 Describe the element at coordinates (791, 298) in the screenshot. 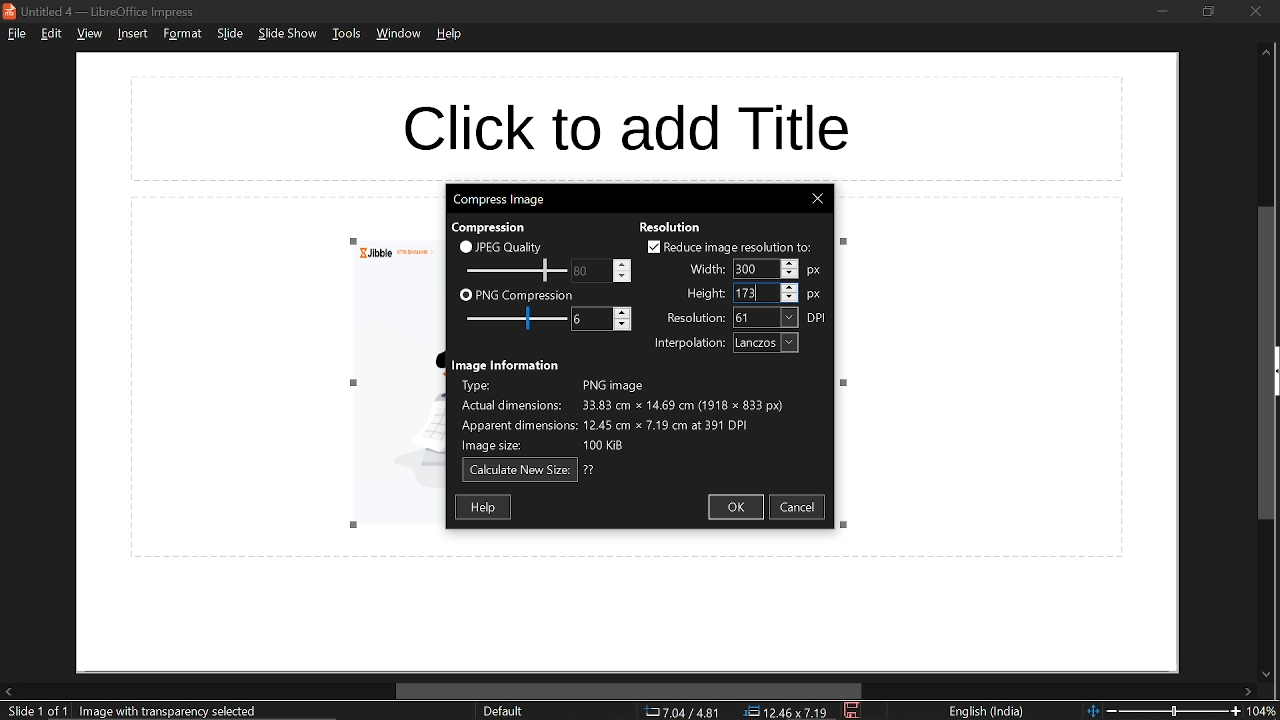

I see `Decrease ` at that location.